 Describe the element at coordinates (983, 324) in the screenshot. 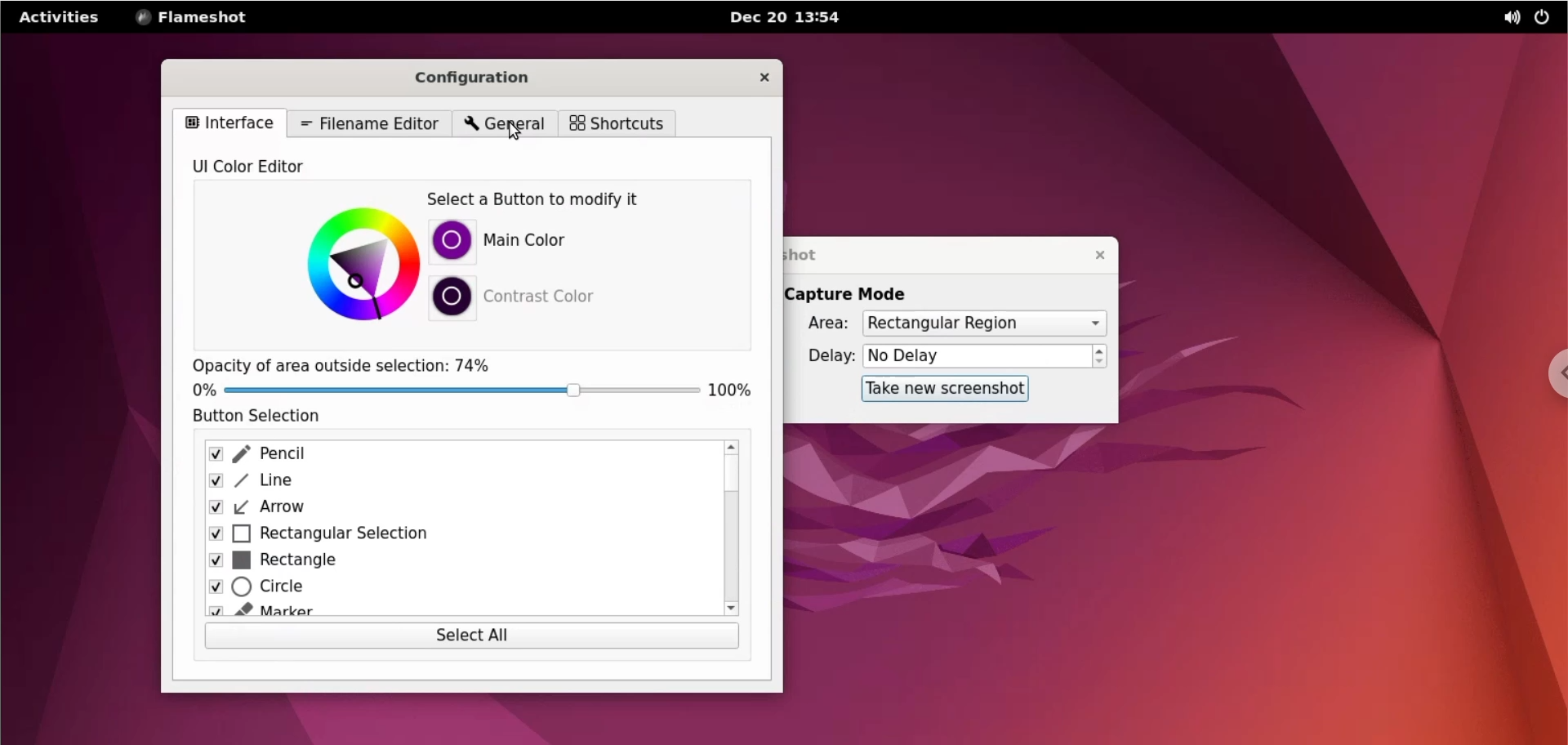

I see `capture mode area options` at that location.